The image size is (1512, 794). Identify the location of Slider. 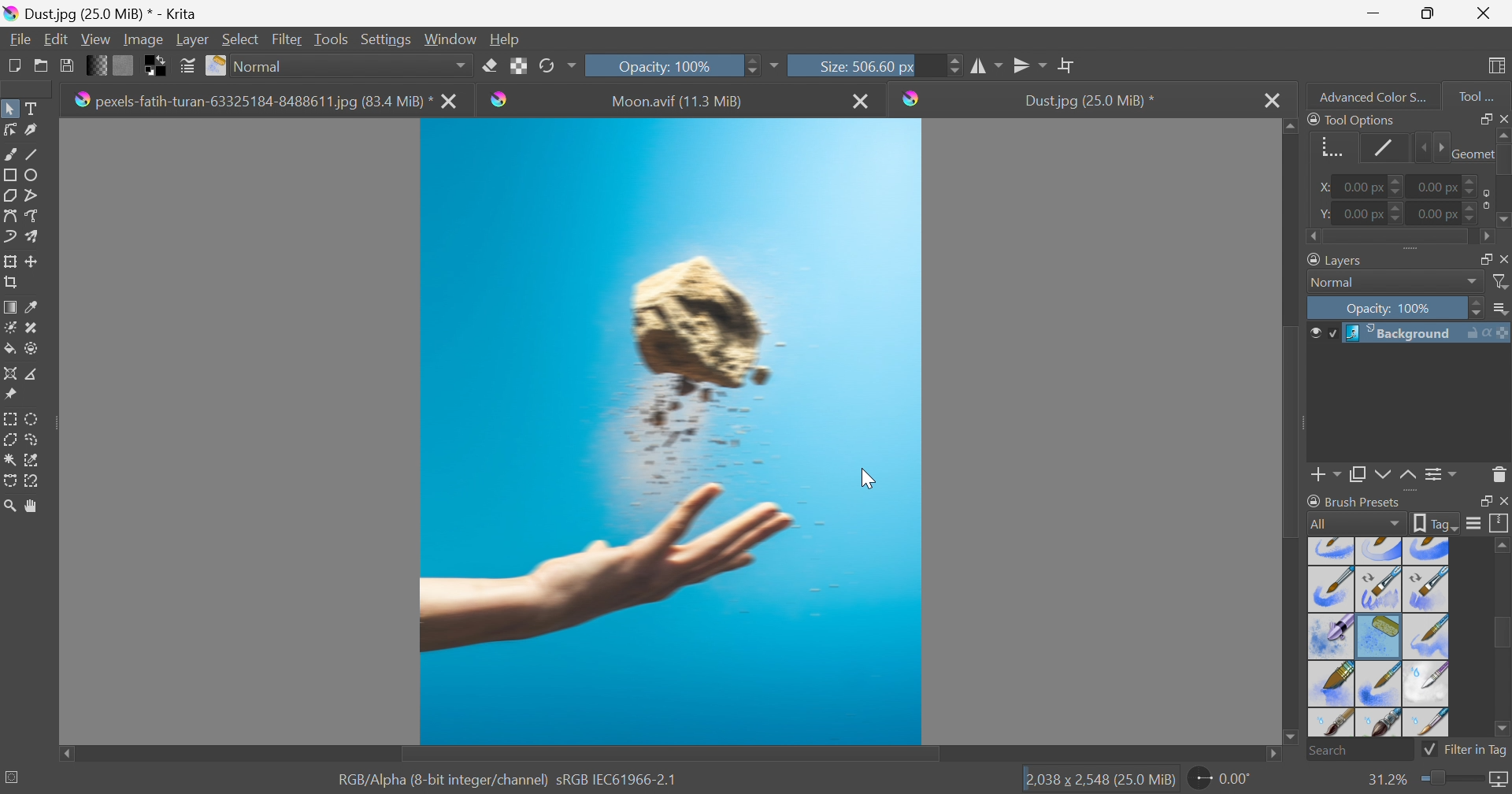
(1398, 187).